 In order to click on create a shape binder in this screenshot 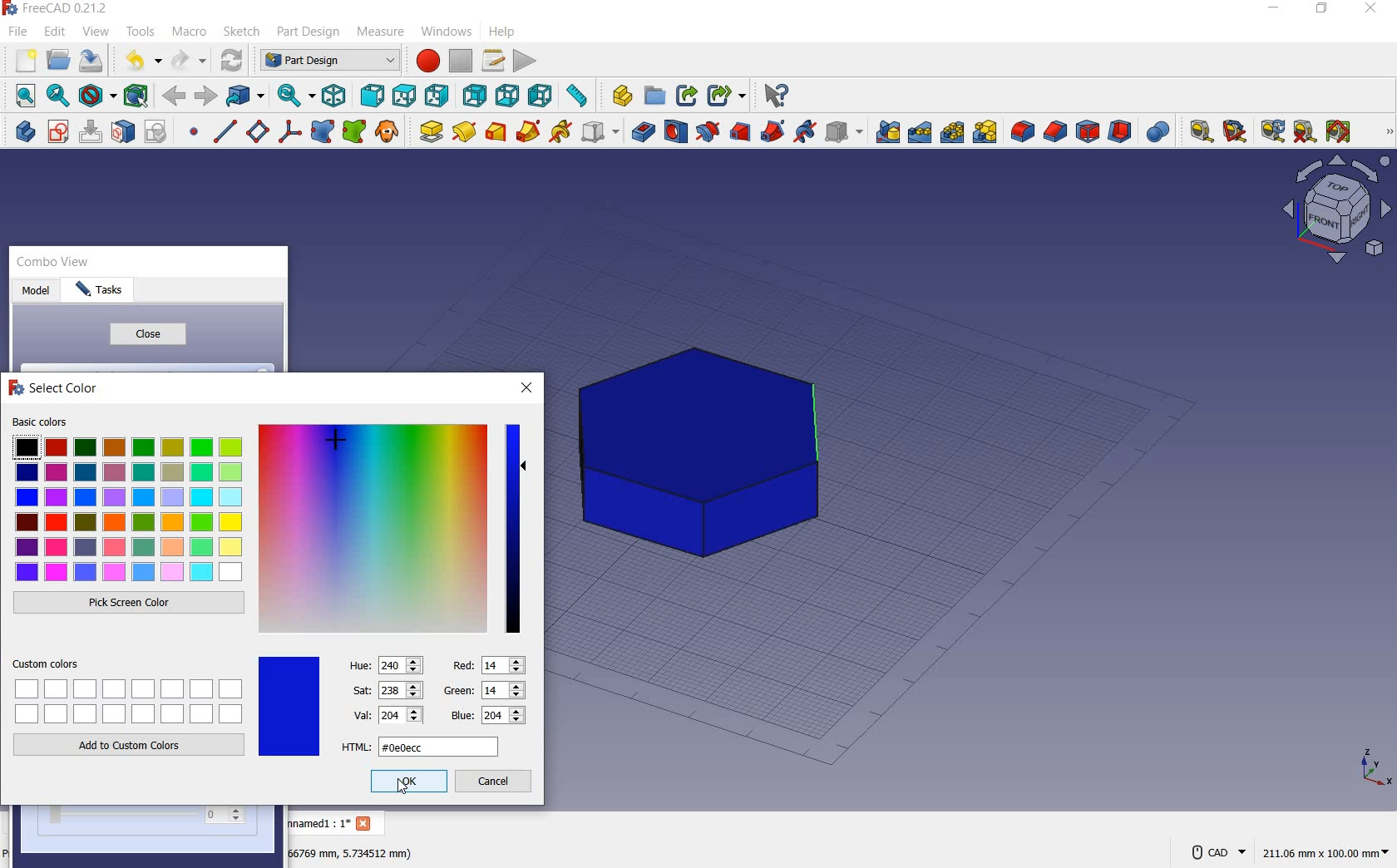, I will do `click(323, 133)`.